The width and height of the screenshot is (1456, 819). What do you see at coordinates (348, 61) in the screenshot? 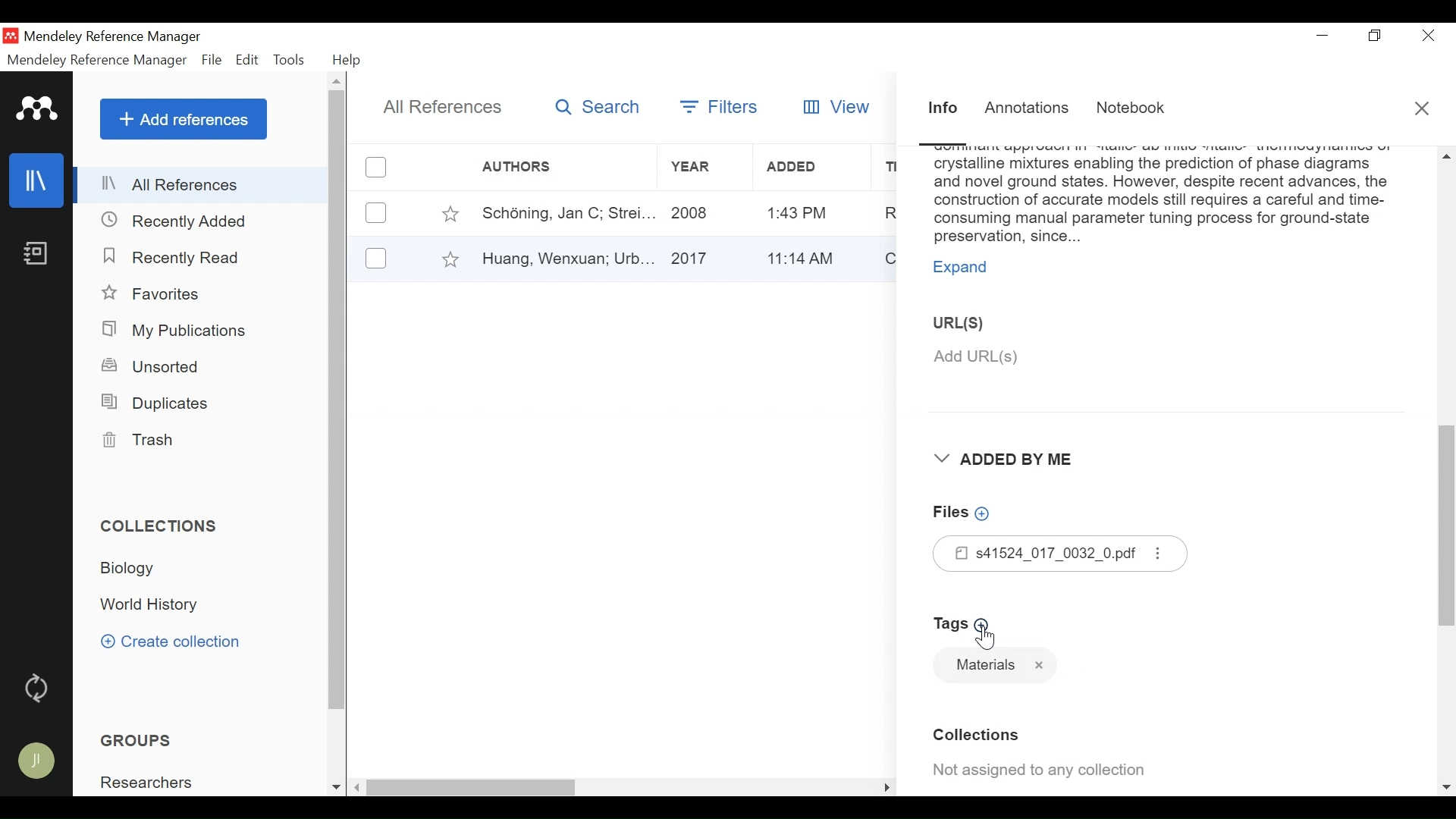
I see `Help` at bounding box center [348, 61].